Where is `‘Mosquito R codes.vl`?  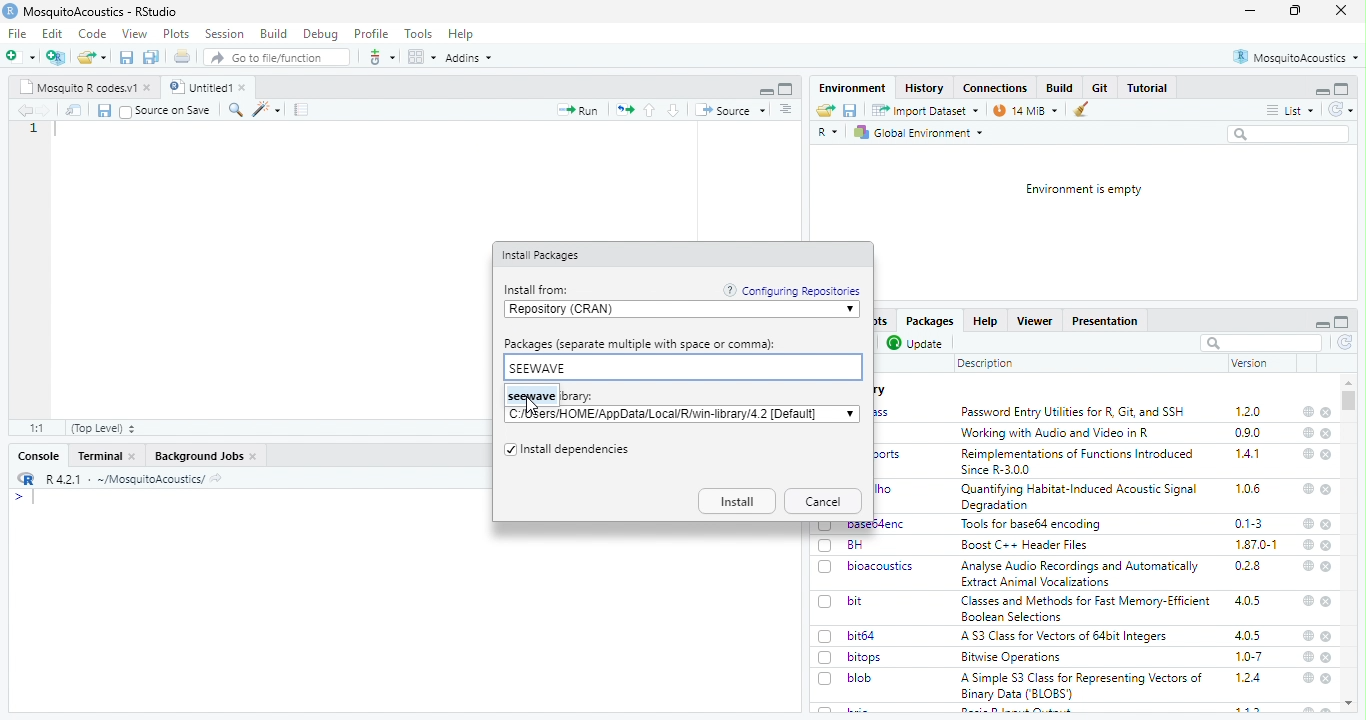 ‘Mosquito R codes.vl is located at coordinates (77, 87).